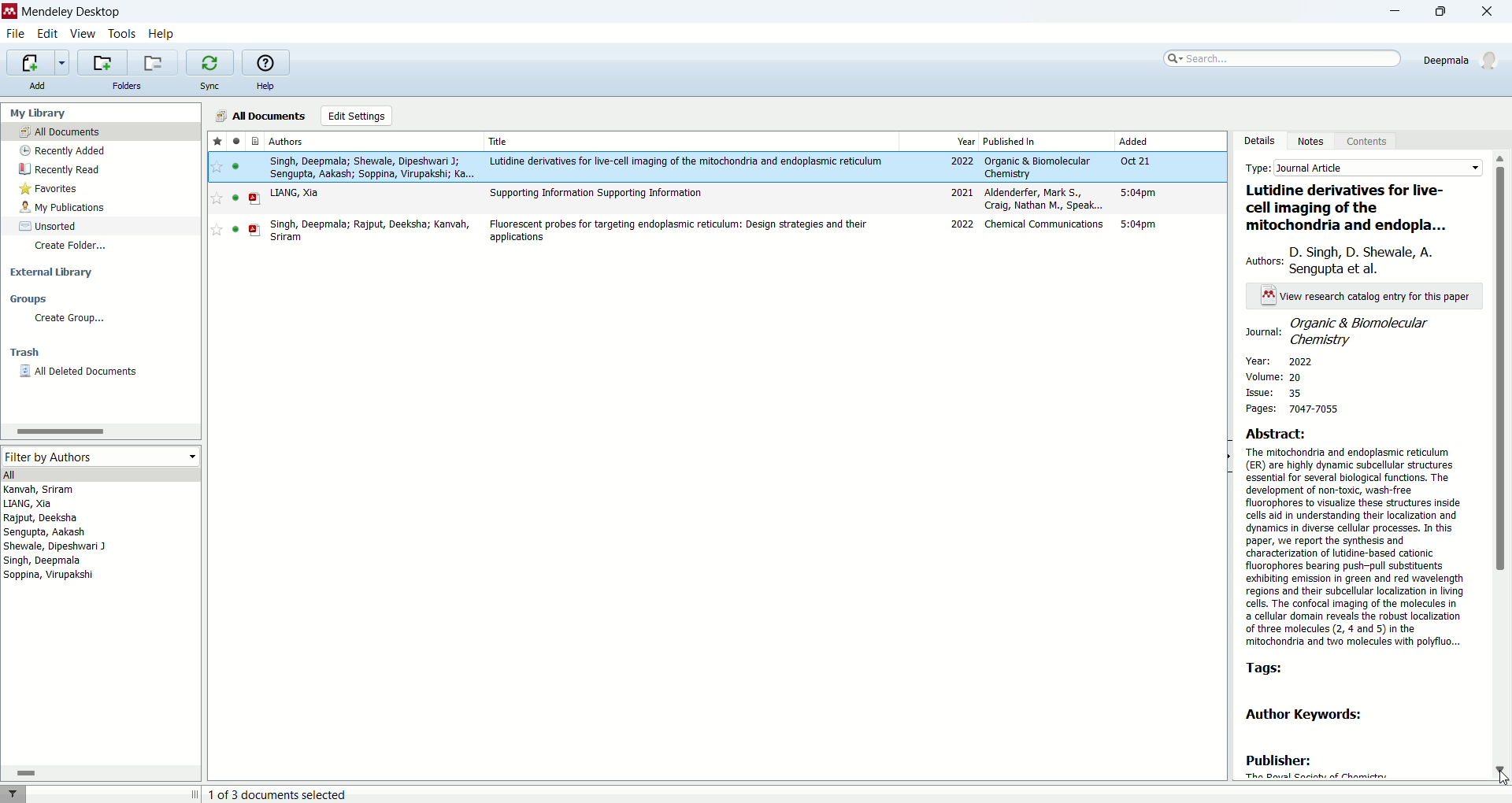 This screenshot has height=803, width=1512. I want to click on all, so click(98, 474).